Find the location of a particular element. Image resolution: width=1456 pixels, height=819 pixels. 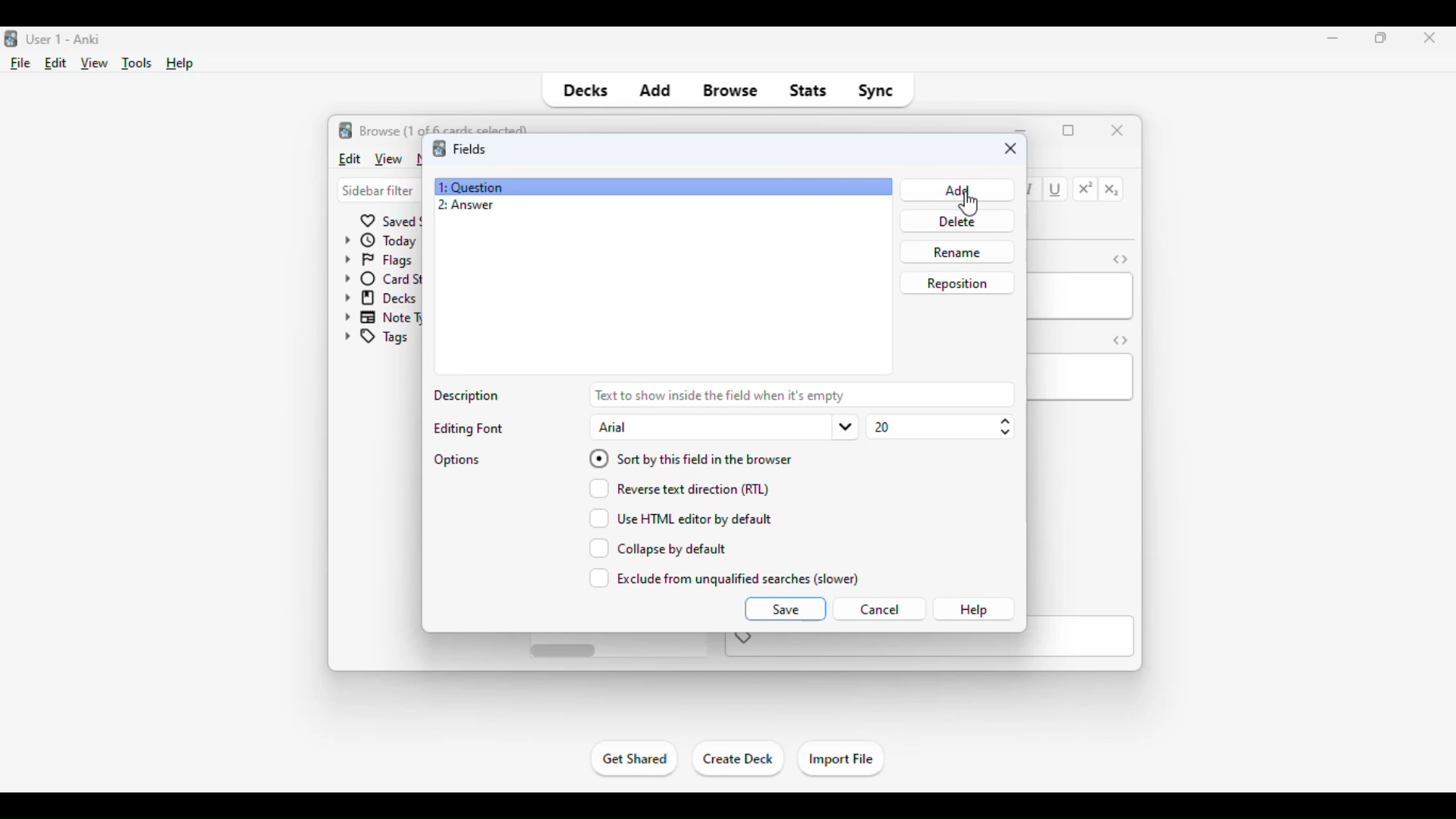

view is located at coordinates (95, 64).